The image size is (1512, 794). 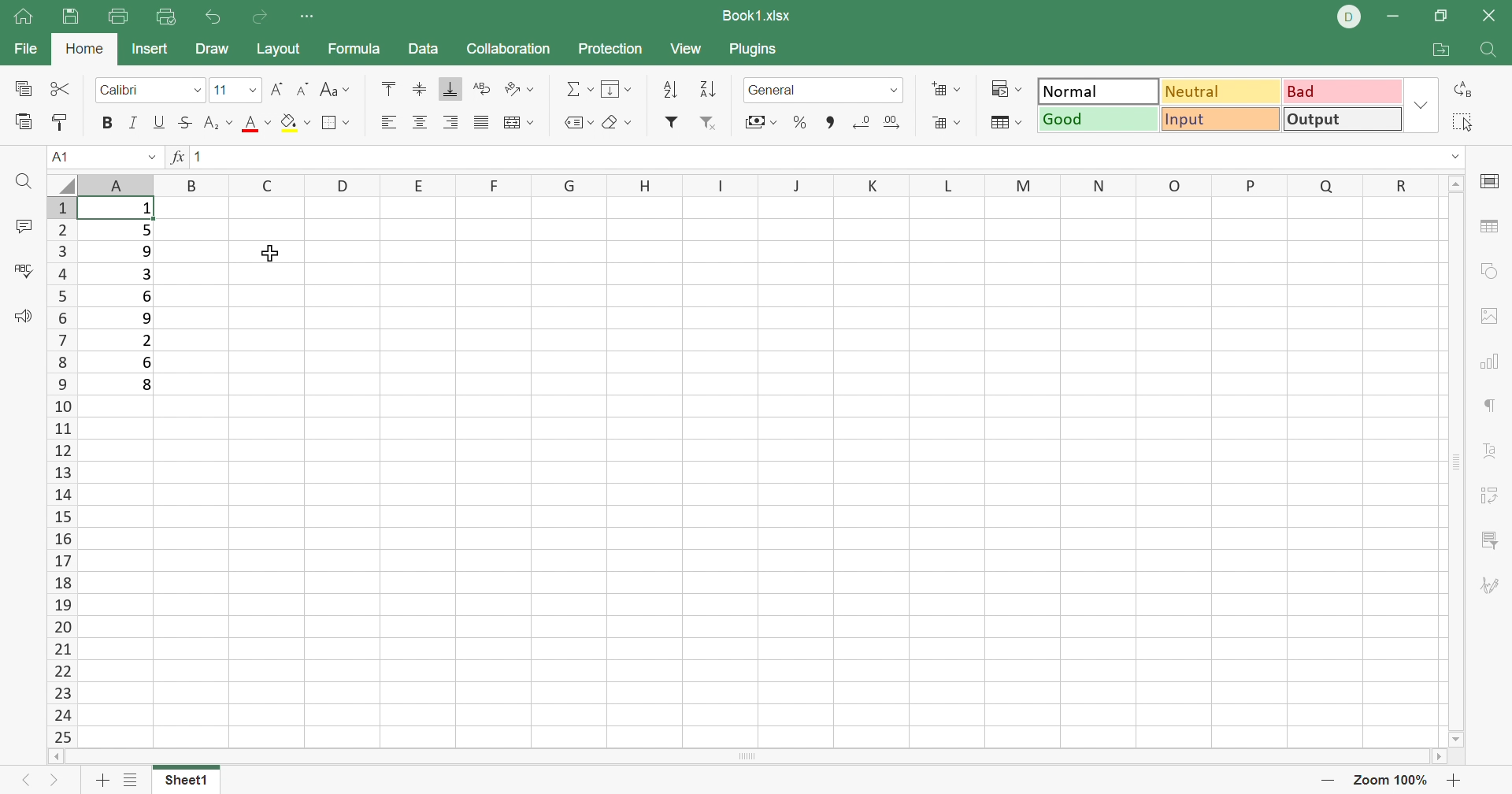 I want to click on Zoom out, so click(x=1327, y=781).